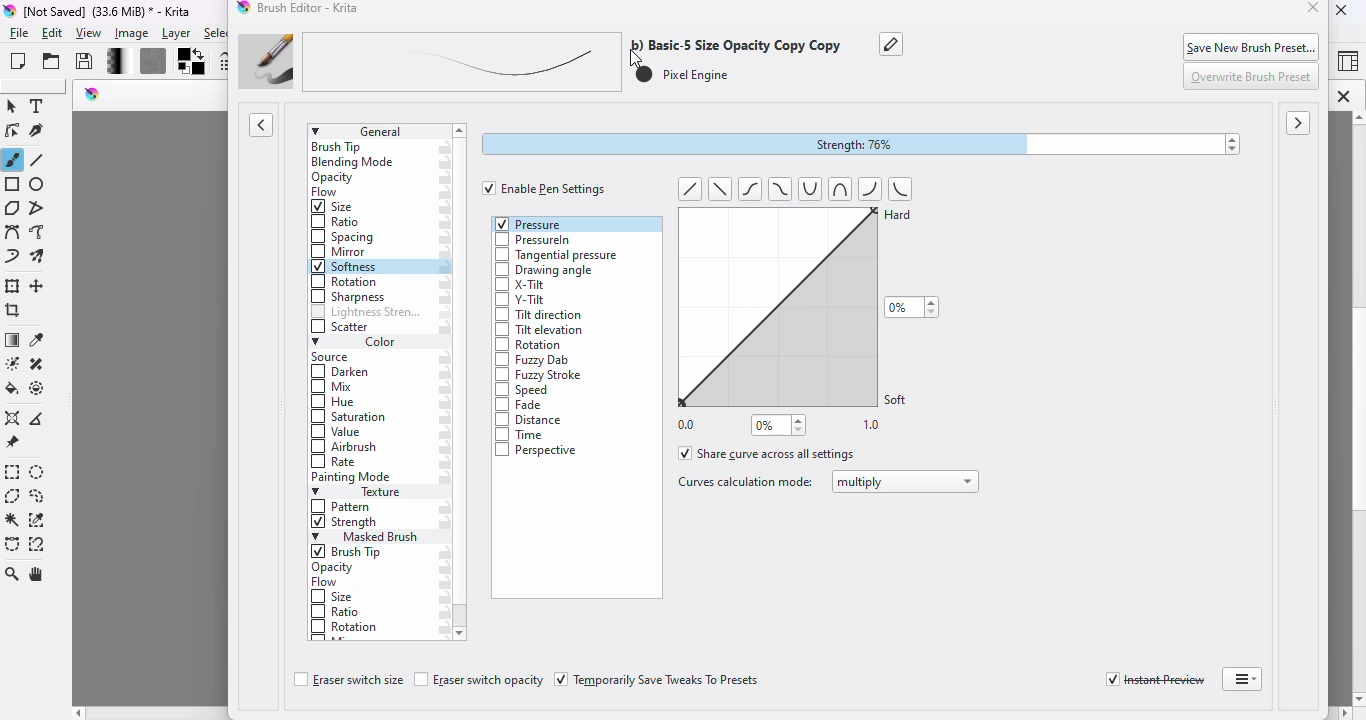 The image size is (1366, 720). Describe the element at coordinates (38, 388) in the screenshot. I see `enclose and fill tool` at that location.